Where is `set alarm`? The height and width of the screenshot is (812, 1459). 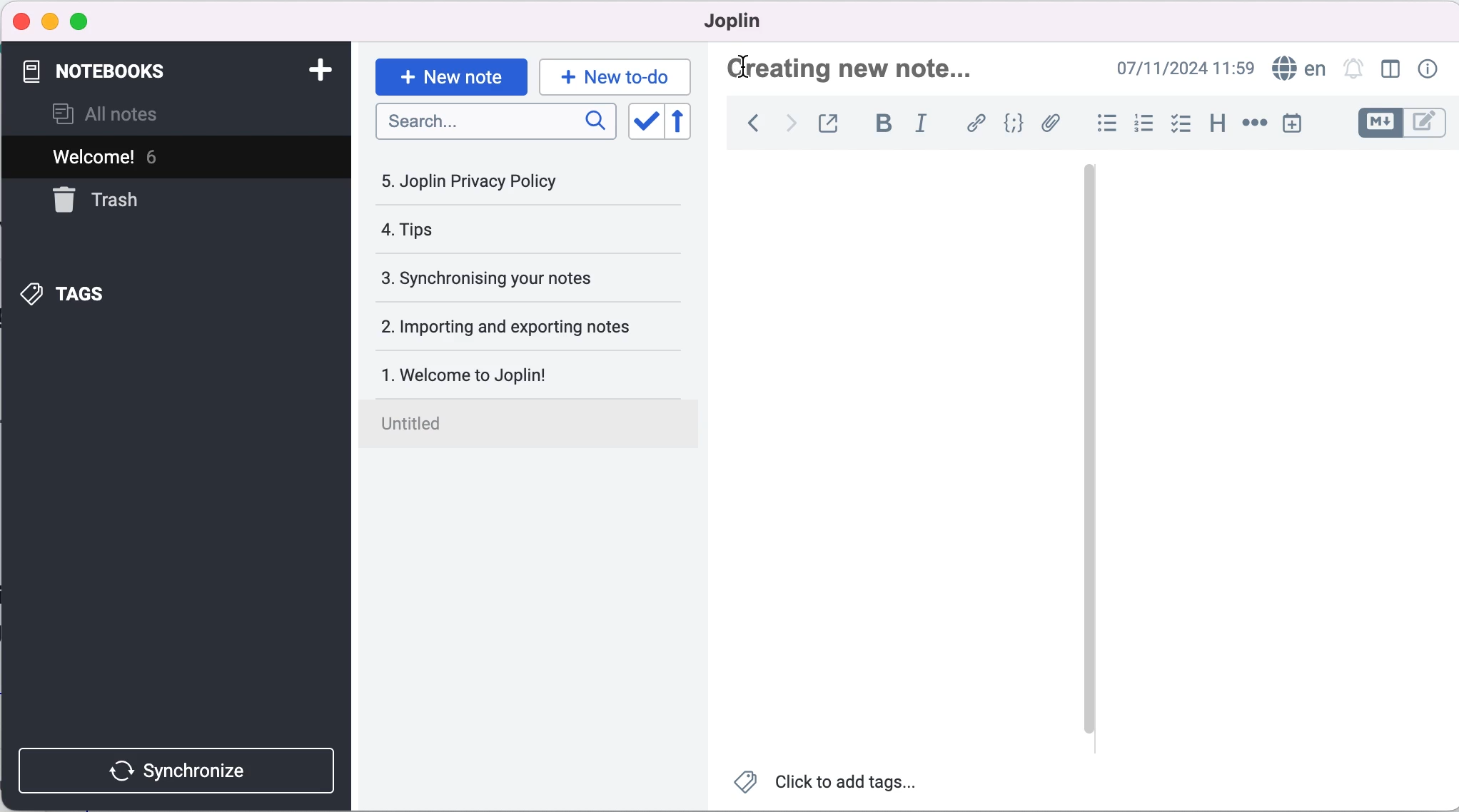 set alarm is located at coordinates (1353, 70).